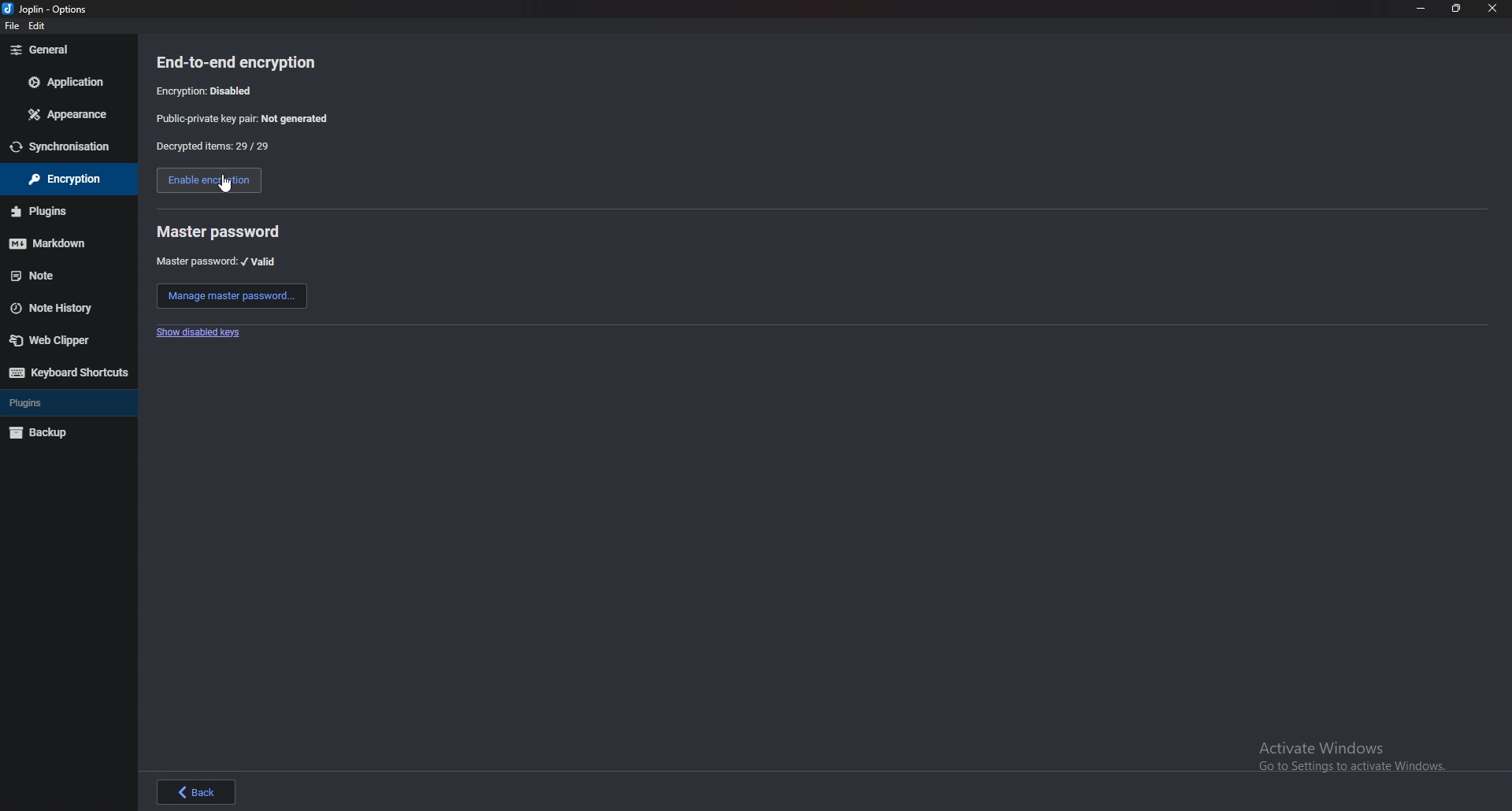  I want to click on , so click(39, 51).